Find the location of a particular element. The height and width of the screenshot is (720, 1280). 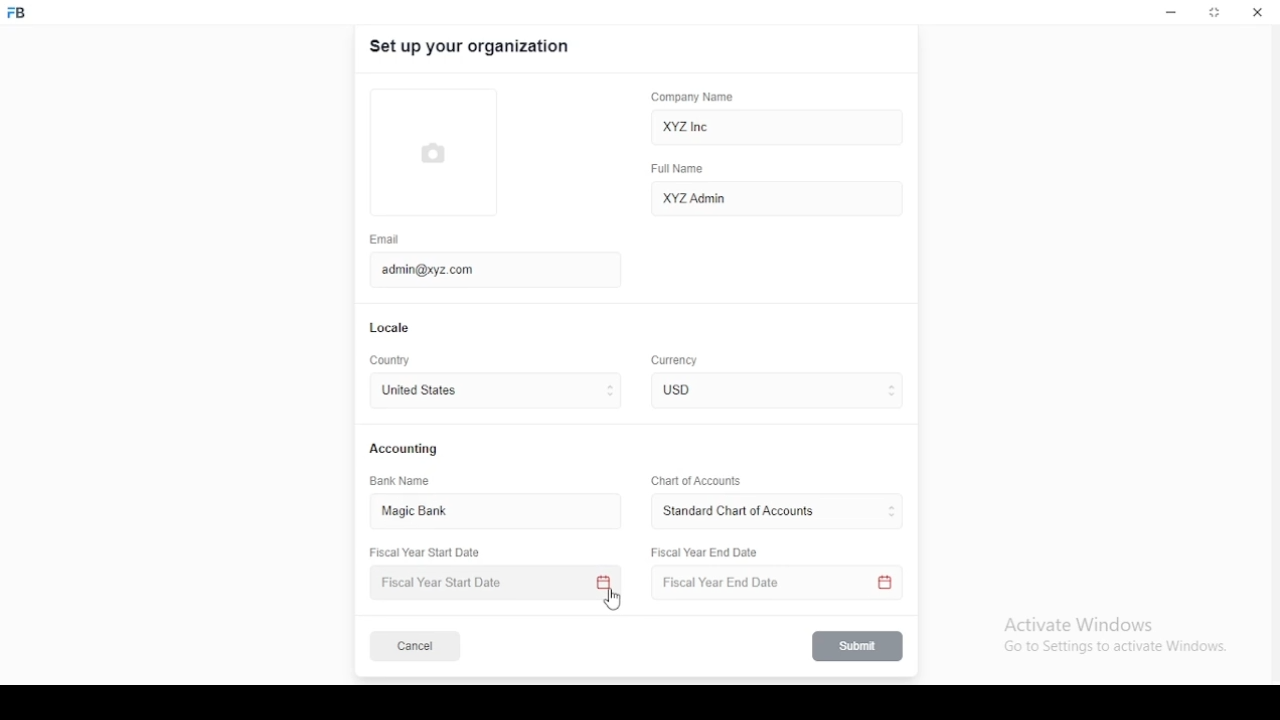

email is located at coordinates (385, 239).